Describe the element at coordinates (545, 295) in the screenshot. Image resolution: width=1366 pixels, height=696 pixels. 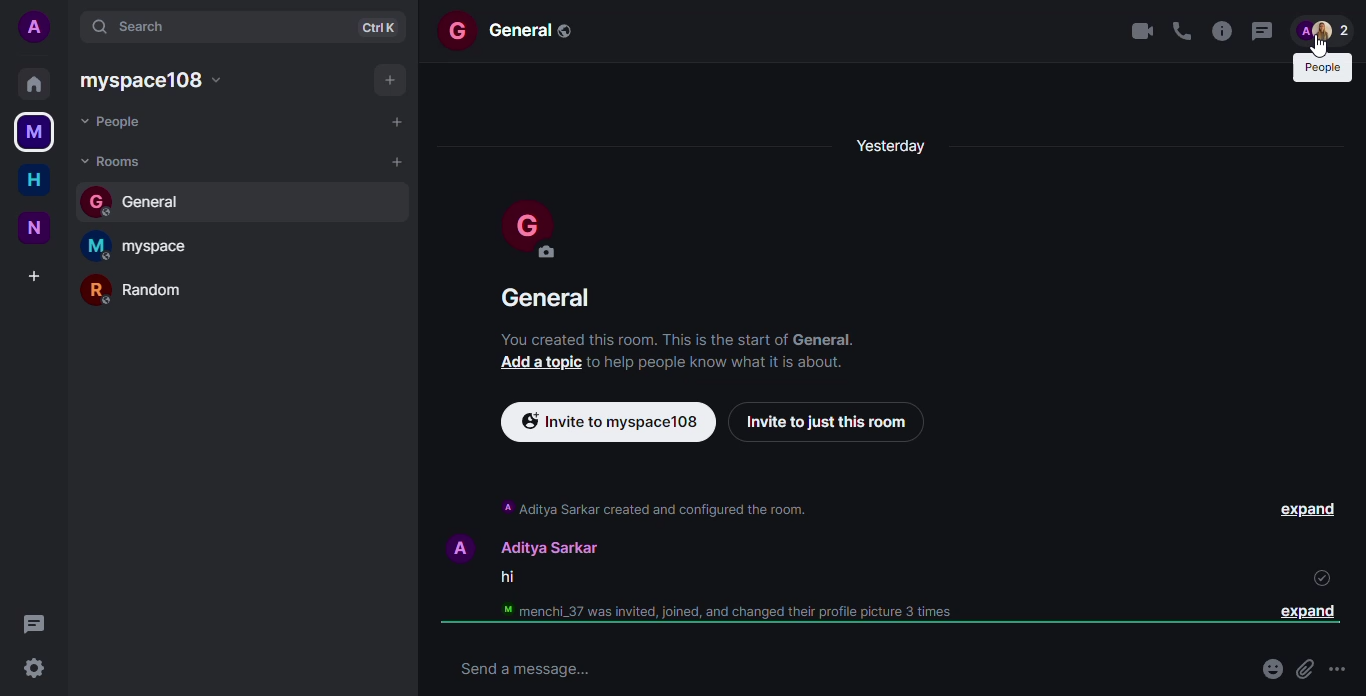
I see `general` at that location.